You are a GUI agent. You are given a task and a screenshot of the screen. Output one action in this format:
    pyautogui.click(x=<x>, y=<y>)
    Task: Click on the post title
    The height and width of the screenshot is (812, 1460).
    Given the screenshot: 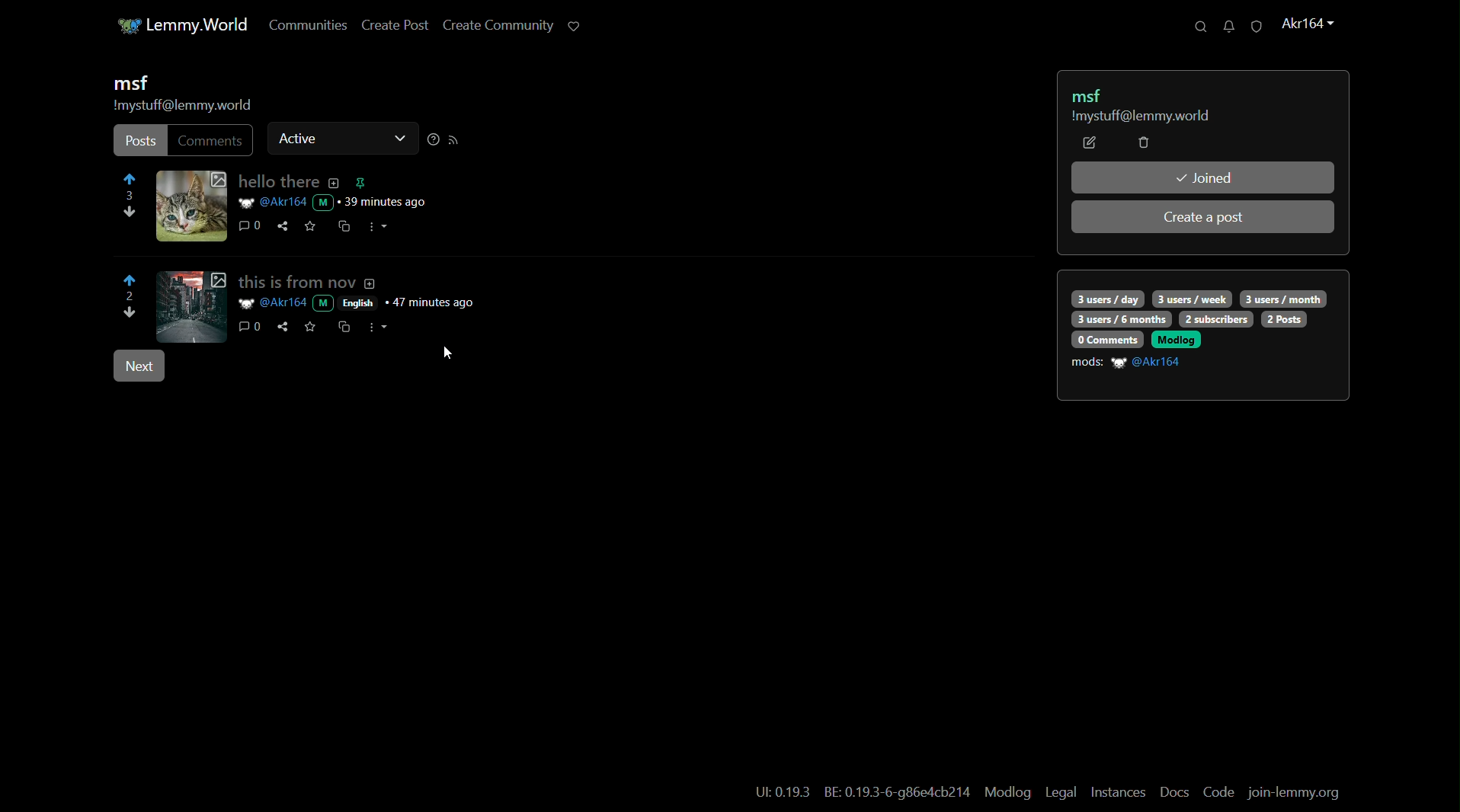 What is the action you would take?
    pyautogui.click(x=285, y=183)
    